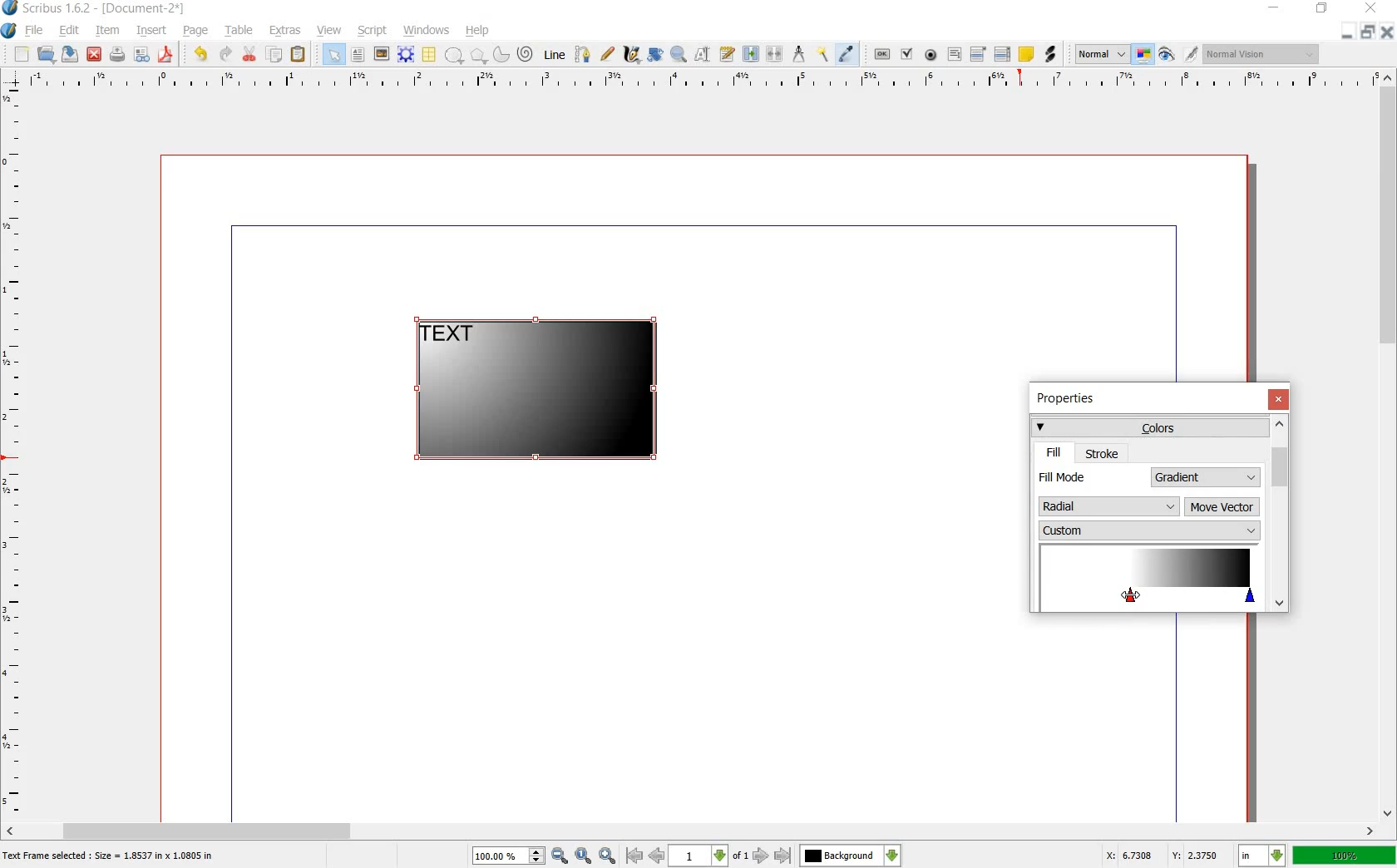 The image size is (1397, 868). I want to click on zoom in or out, so click(678, 56).